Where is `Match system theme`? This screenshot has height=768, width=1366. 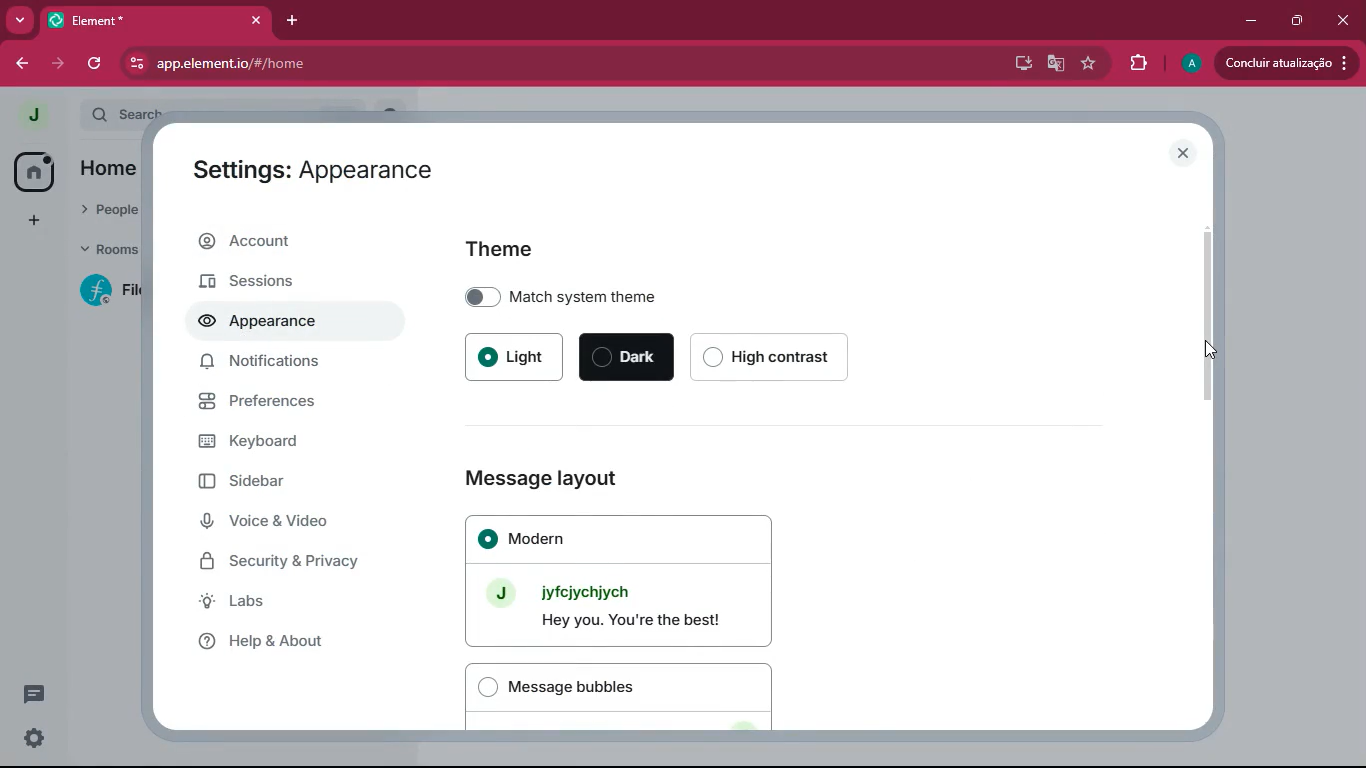
Match system theme is located at coordinates (564, 298).